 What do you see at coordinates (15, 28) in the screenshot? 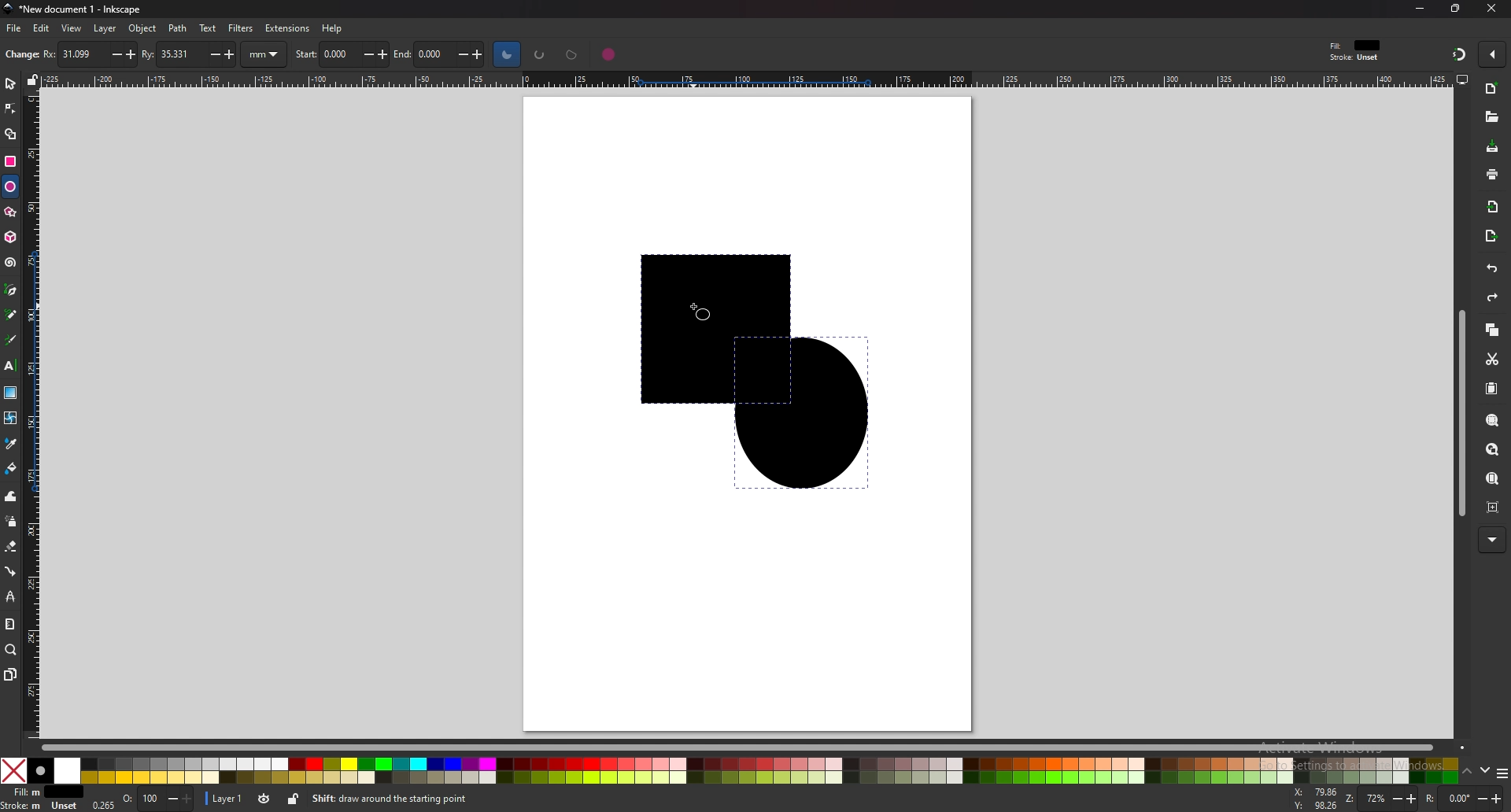
I see `file` at bounding box center [15, 28].